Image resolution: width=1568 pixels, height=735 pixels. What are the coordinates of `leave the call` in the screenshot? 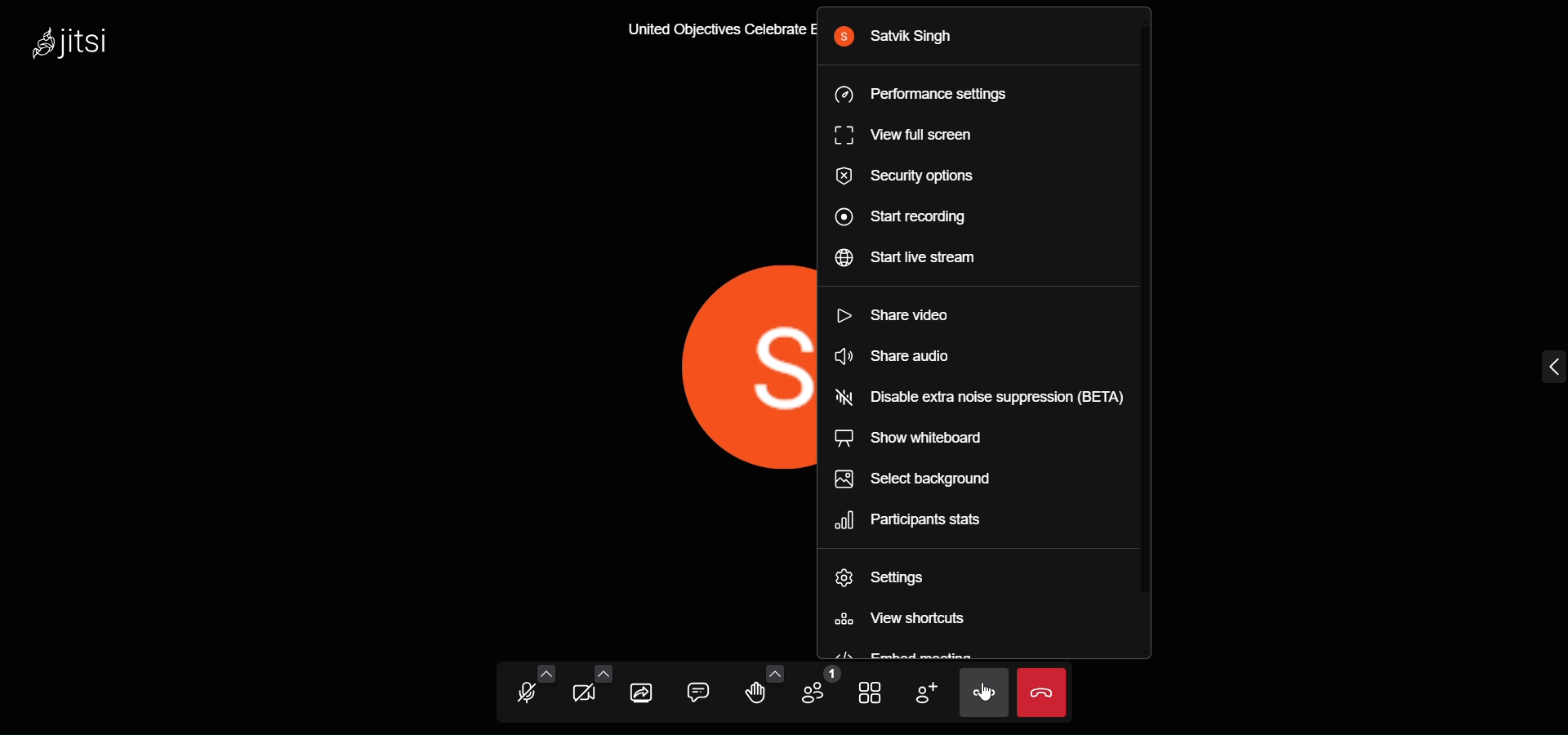 It's located at (1044, 694).